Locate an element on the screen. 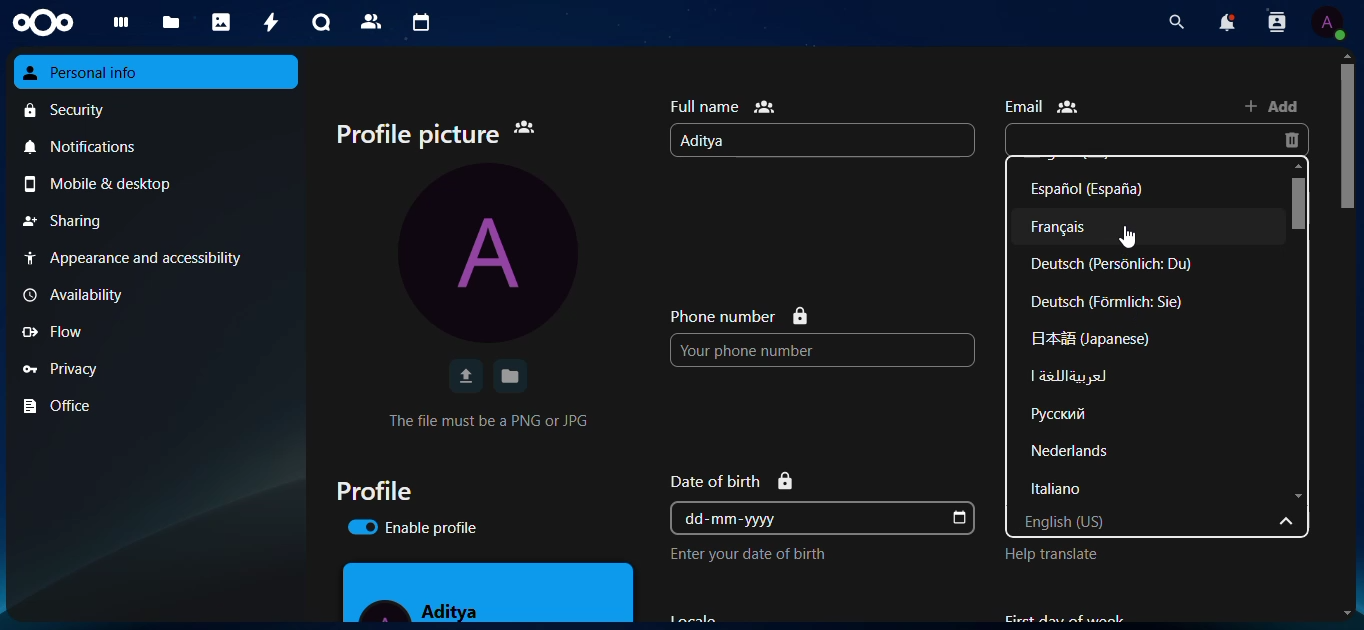 Image resolution: width=1364 pixels, height=630 pixels. security is located at coordinates (71, 111).